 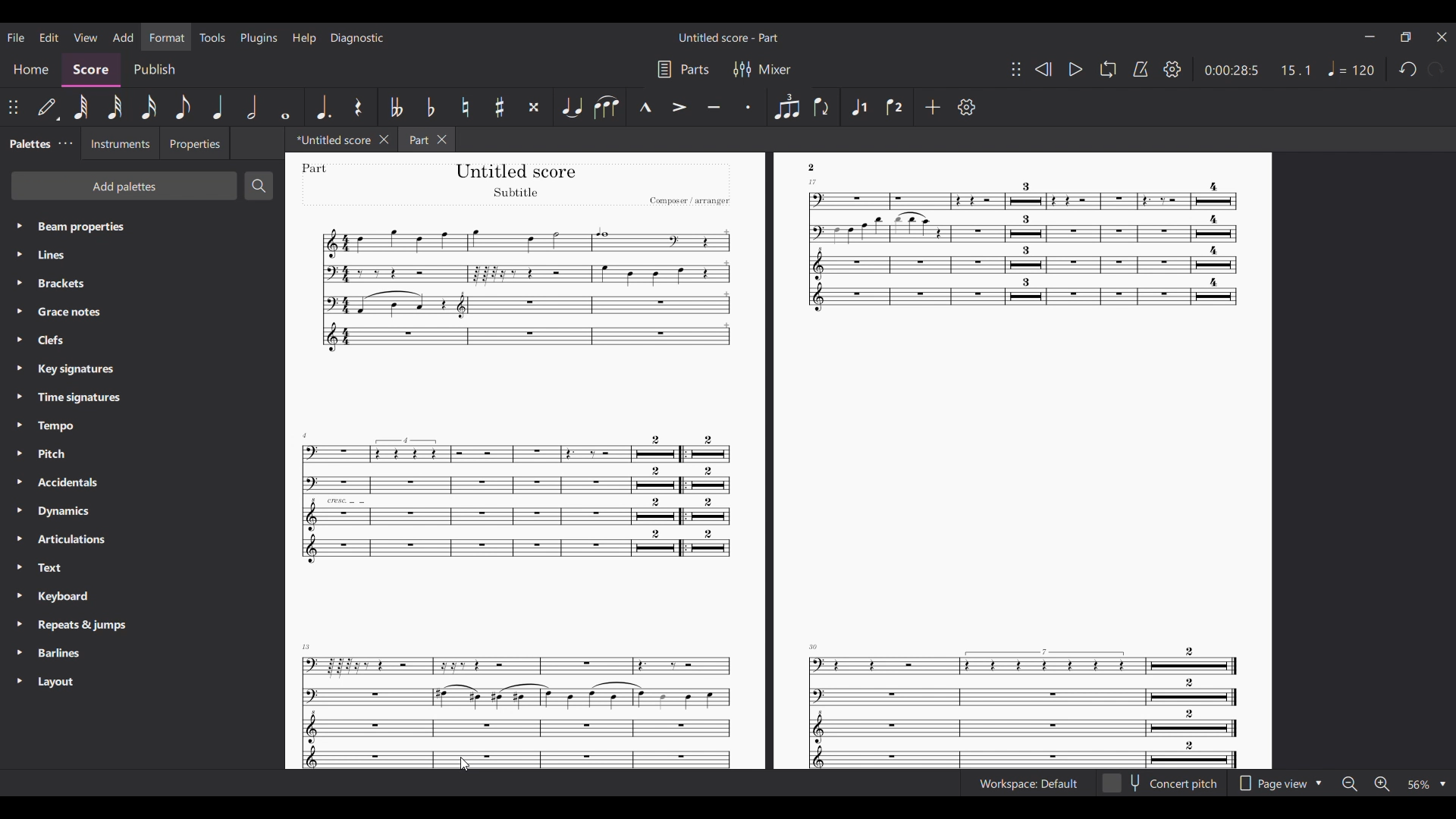 I want to click on Toggle double sharp, so click(x=535, y=108).